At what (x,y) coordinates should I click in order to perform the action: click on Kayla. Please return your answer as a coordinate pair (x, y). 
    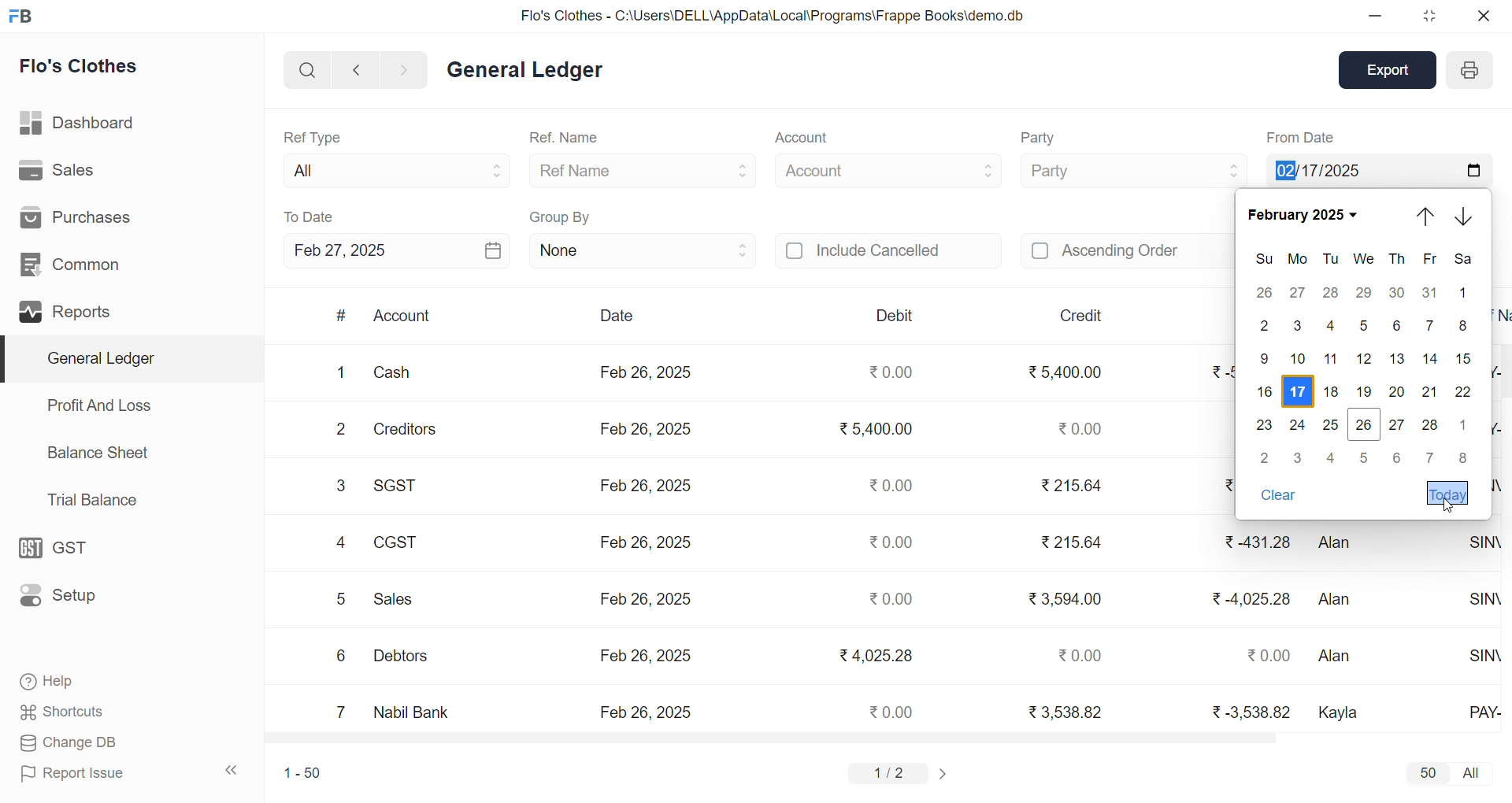
    Looking at the image, I should click on (1343, 710).